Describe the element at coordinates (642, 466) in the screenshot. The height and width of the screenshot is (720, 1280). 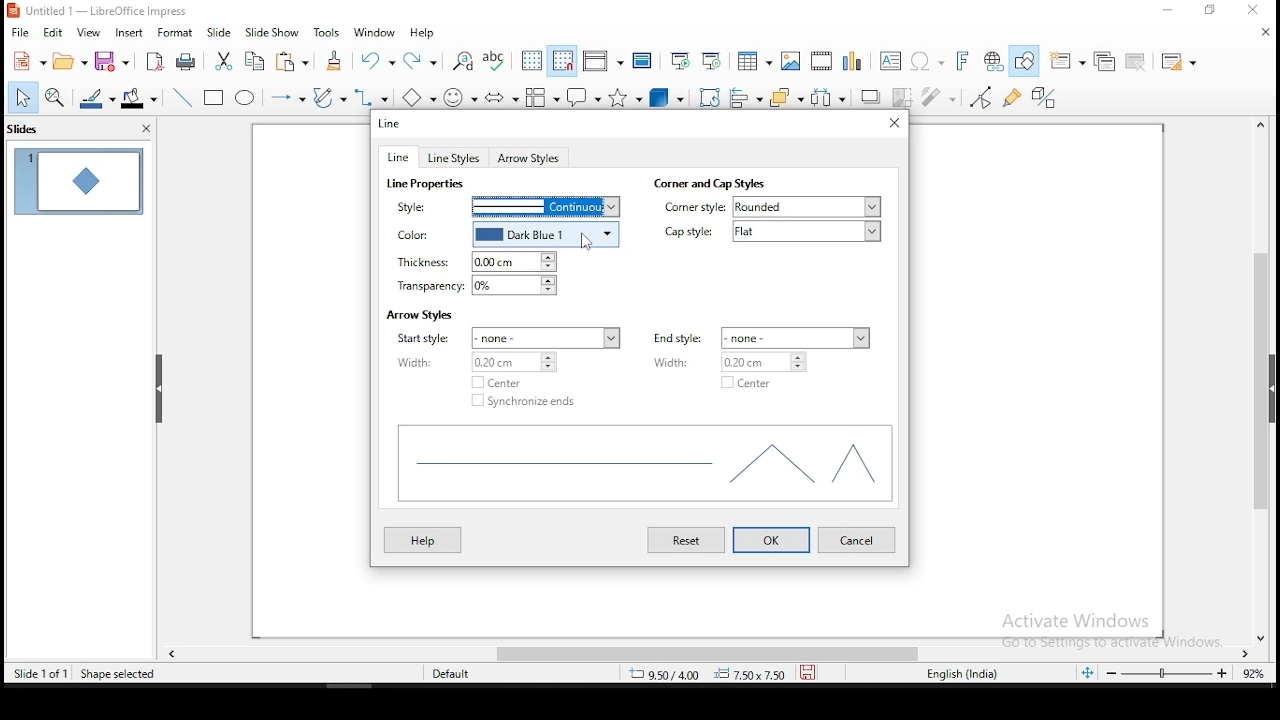
I see `lines` at that location.